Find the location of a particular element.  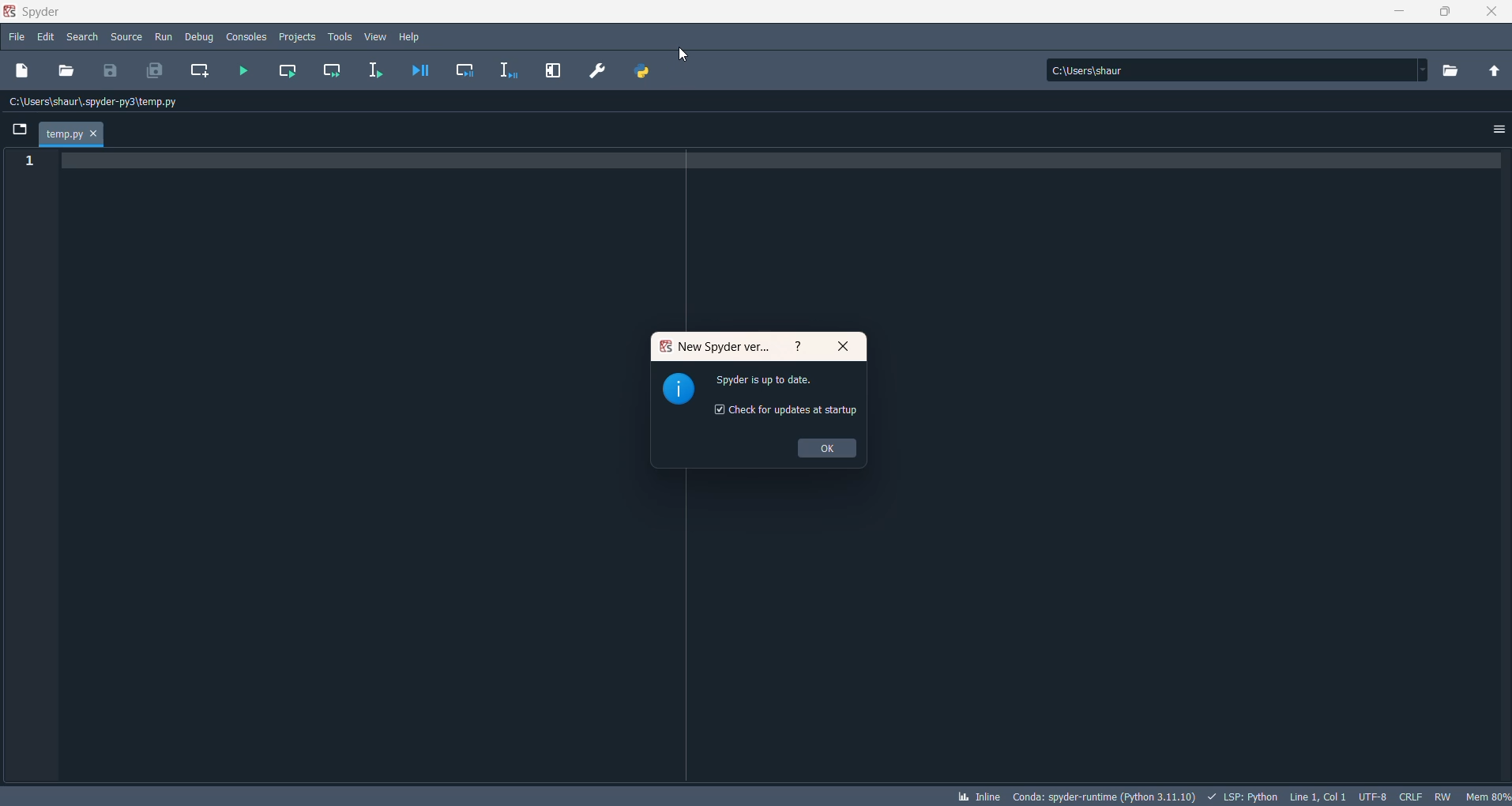

save file is located at coordinates (109, 70).